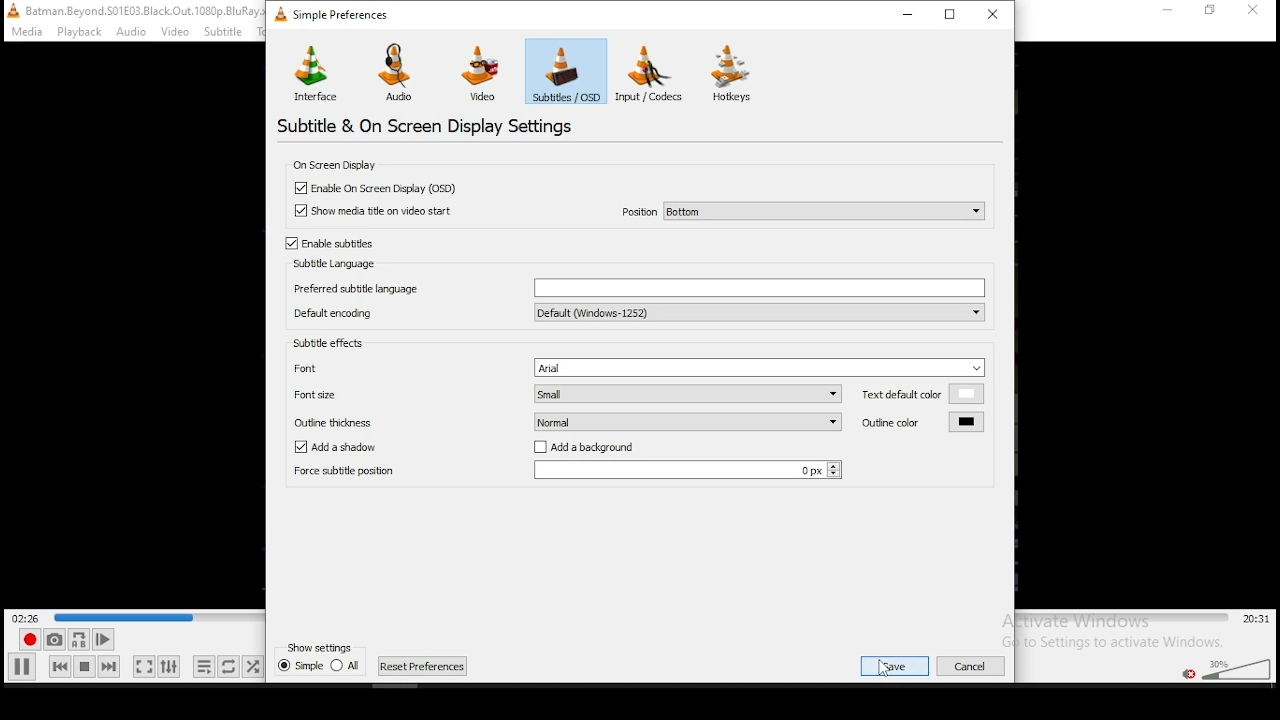 The image size is (1280, 720). Describe the element at coordinates (176, 32) in the screenshot. I see `` at that location.